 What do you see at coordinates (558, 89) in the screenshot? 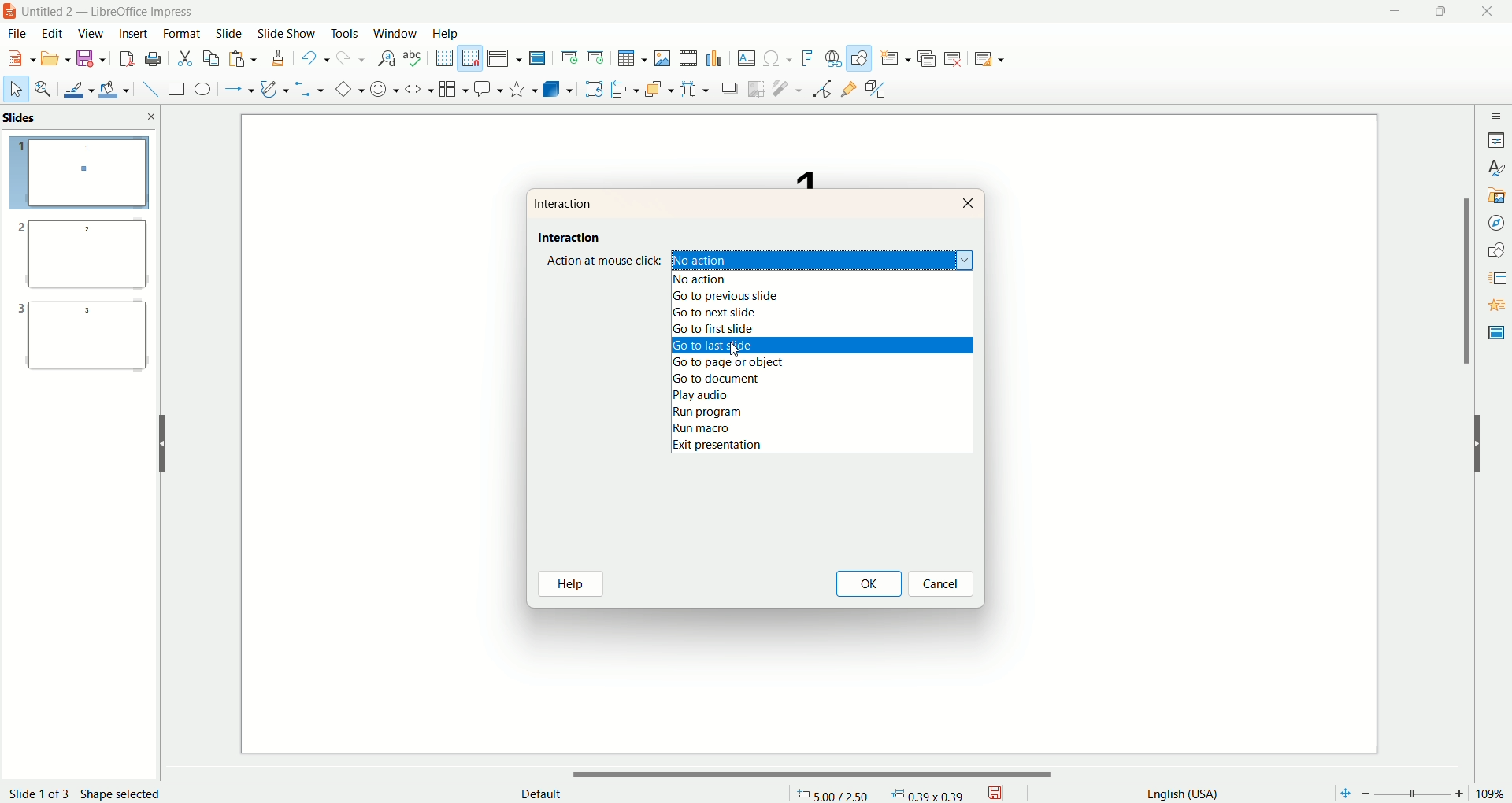
I see `3D objects` at bounding box center [558, 89].